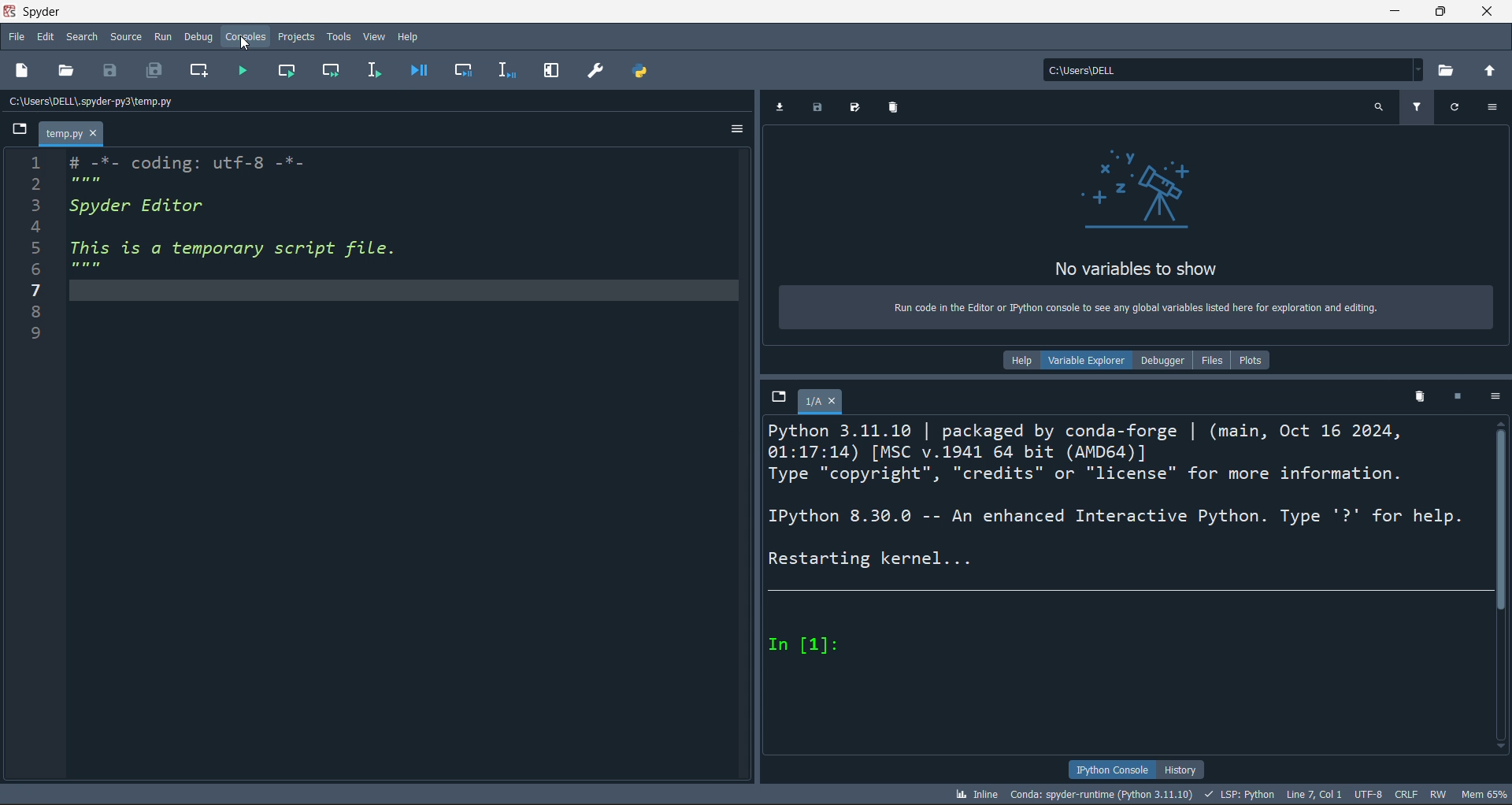 The width and height of the screenshot is (1512, 805). Describe the element at coordinates (1161, 359) in the screenshot. I see `debugger` at that location.